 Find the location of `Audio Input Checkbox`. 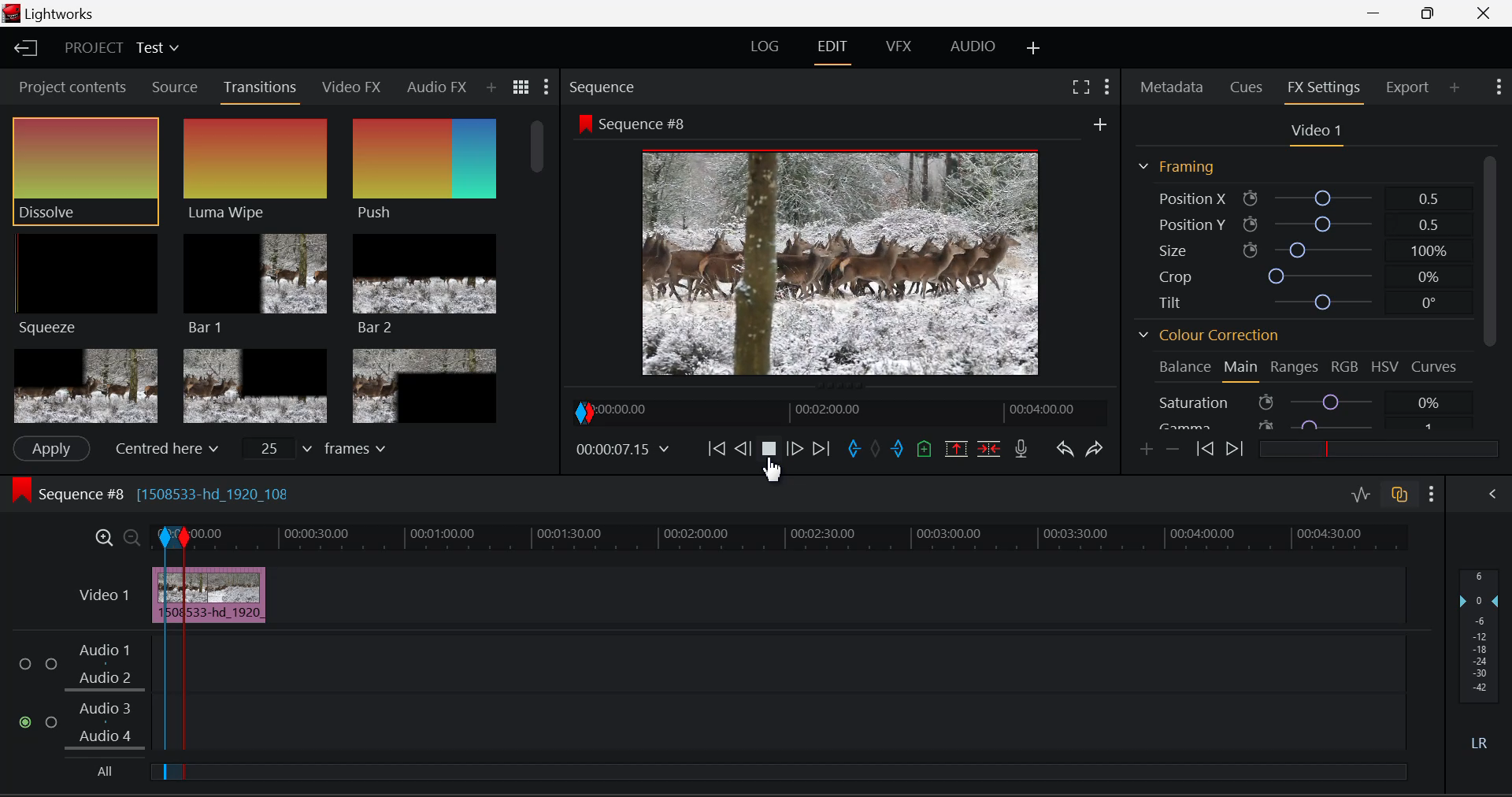

Audio Input Checkbox is located at coordinates (27, 723).